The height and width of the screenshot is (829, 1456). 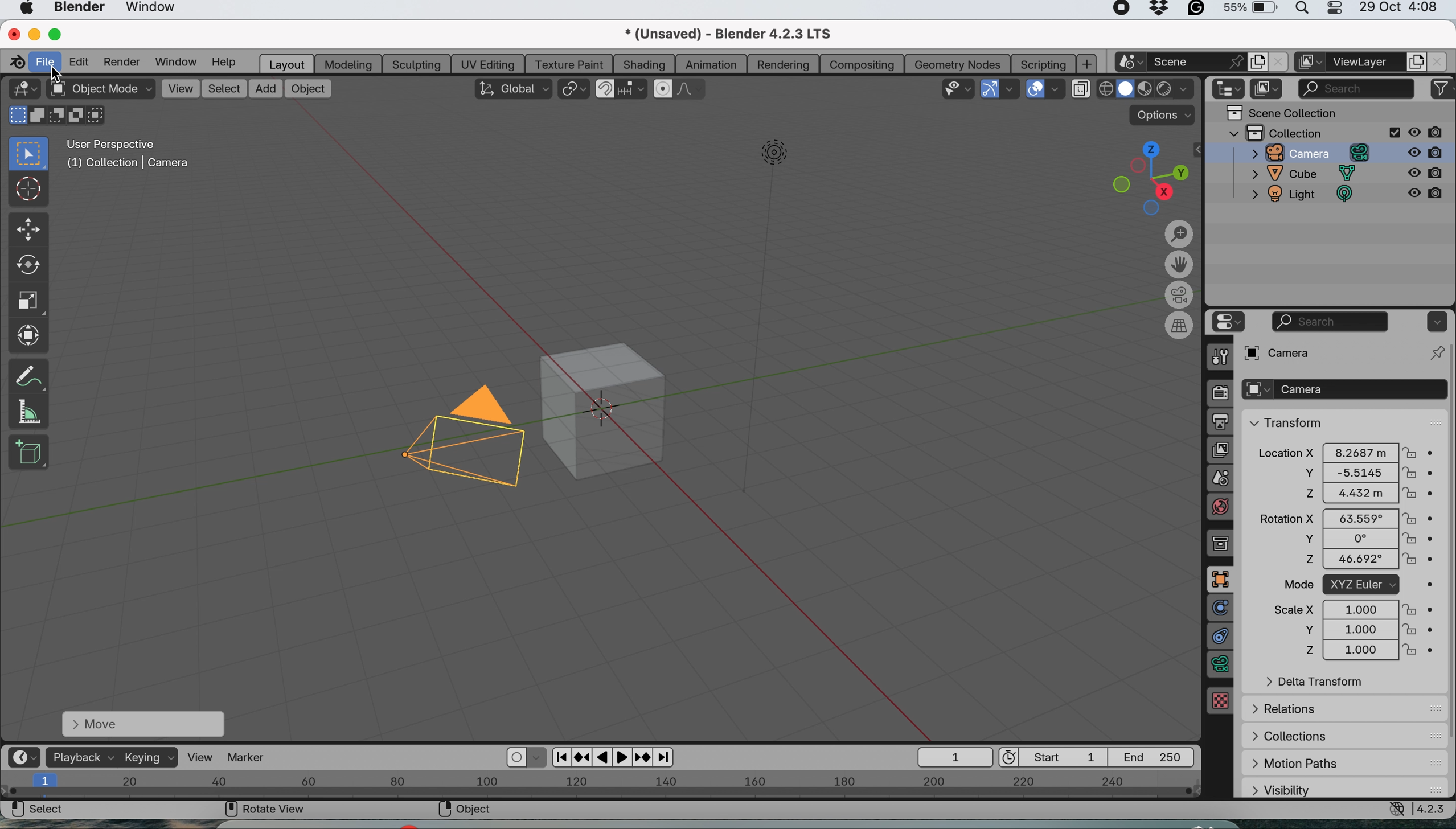 What do you see at coordinates (1310, 62) in the screenshot?
I see `active workspace` at bounding box center [1310, 62].